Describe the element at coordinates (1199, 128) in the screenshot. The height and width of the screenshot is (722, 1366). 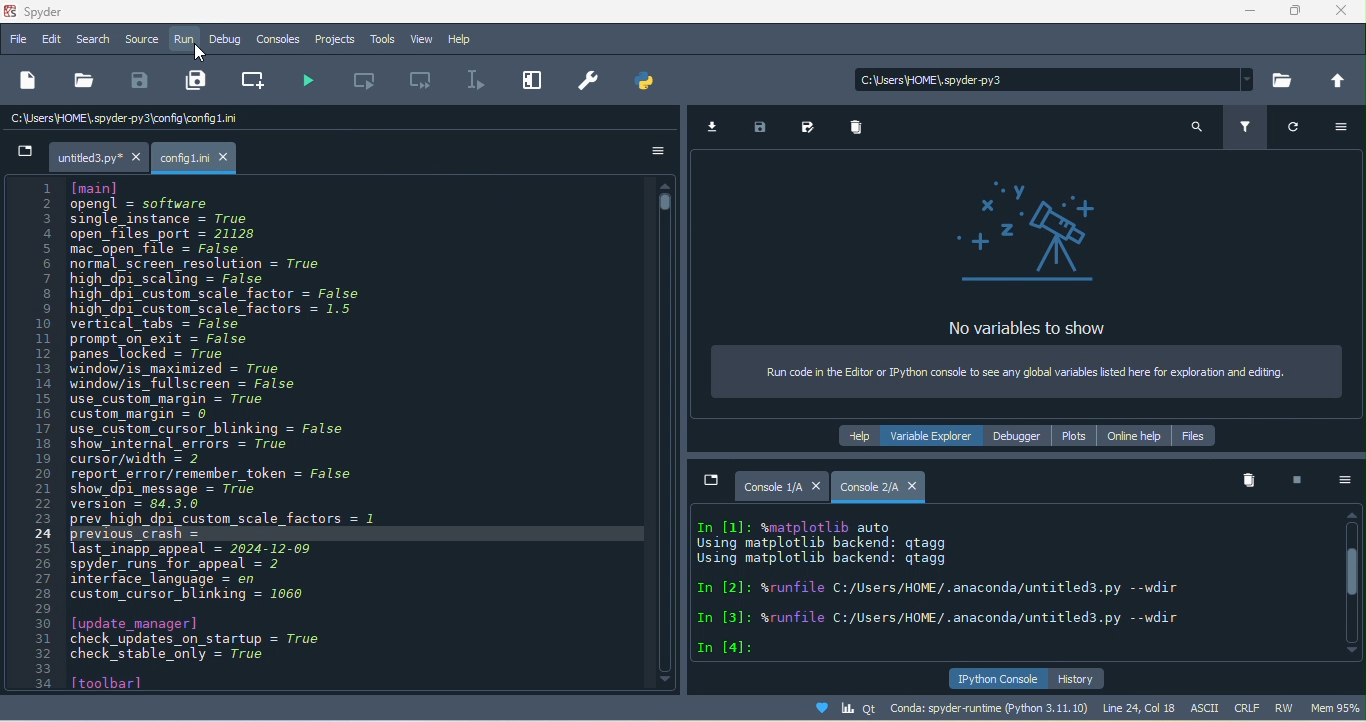
I see `search` at that location.